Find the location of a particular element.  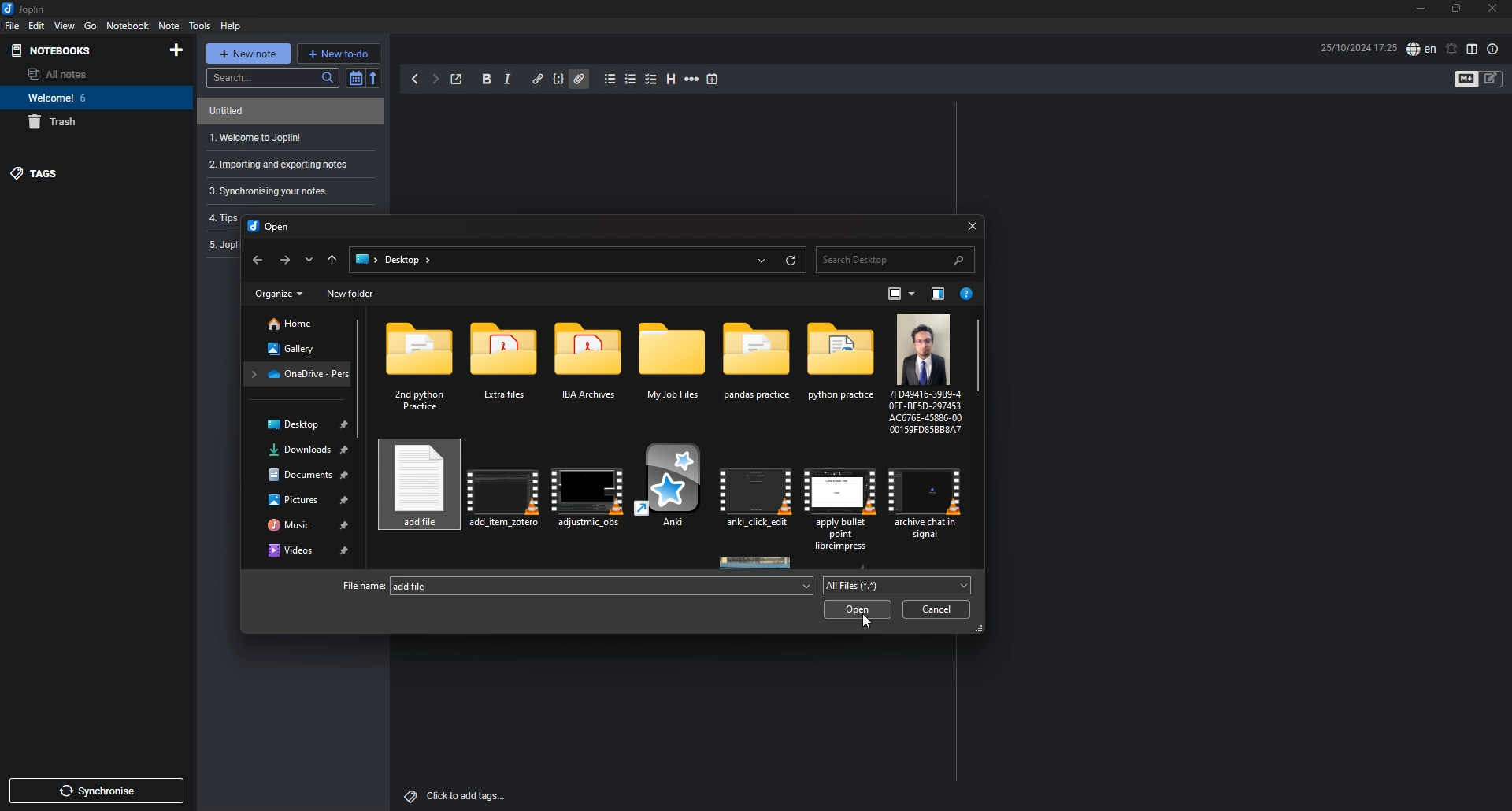

code is located at coordinates (559, 78).